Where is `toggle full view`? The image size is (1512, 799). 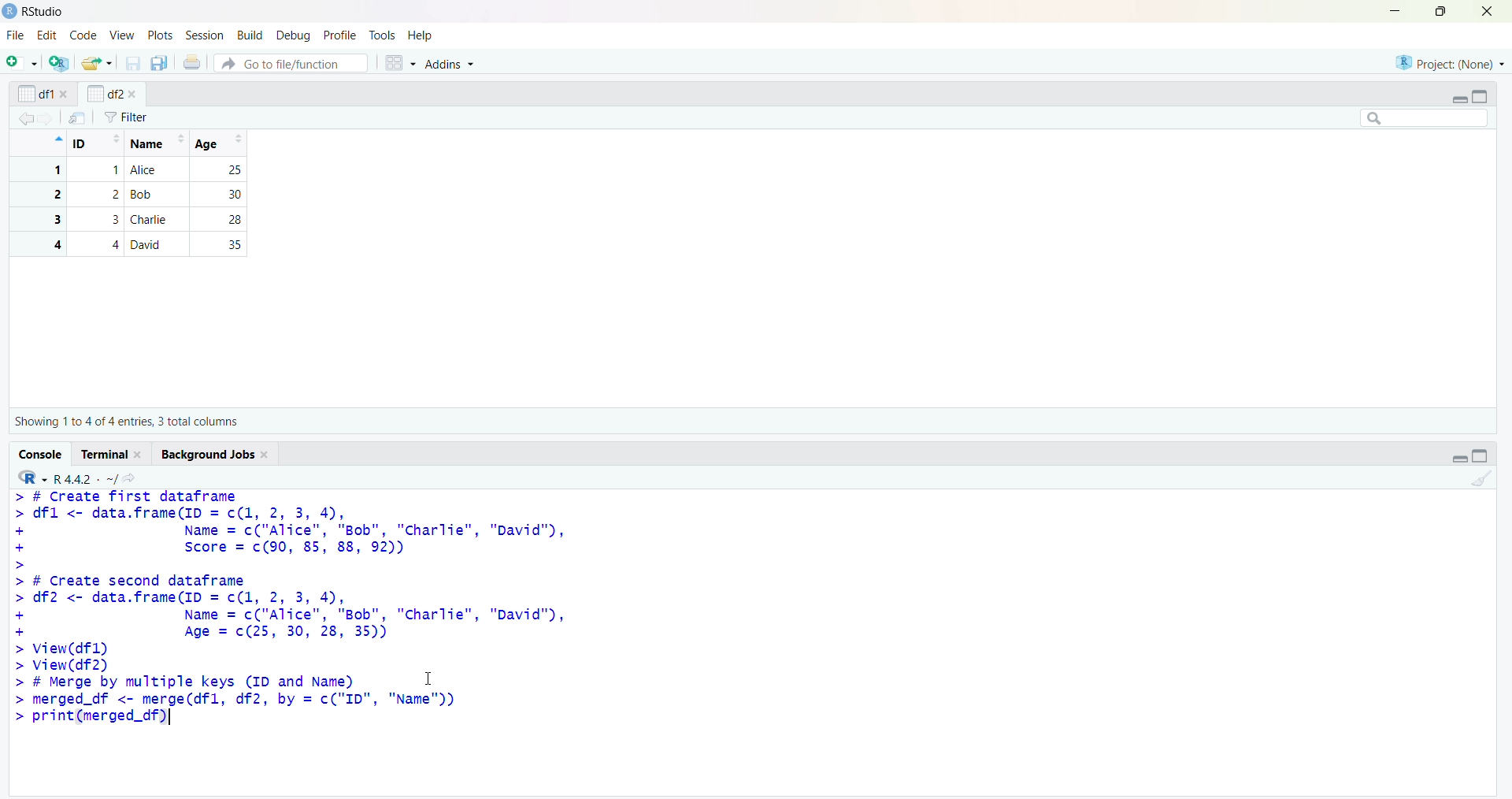
toggle full view is located at coordinates (1479, 97).